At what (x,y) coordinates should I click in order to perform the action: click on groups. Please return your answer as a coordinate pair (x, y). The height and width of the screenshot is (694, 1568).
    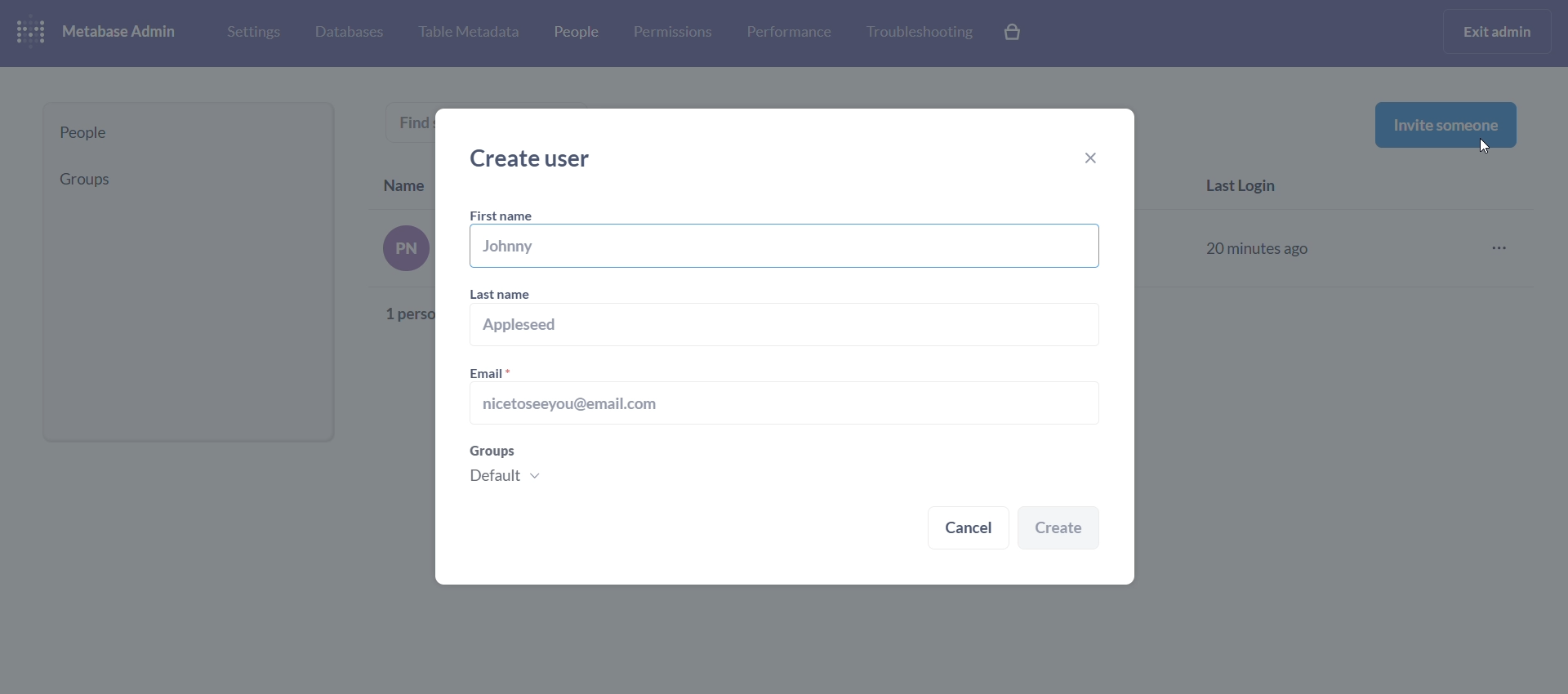
    Looking at the image, I should click on (182, 179).